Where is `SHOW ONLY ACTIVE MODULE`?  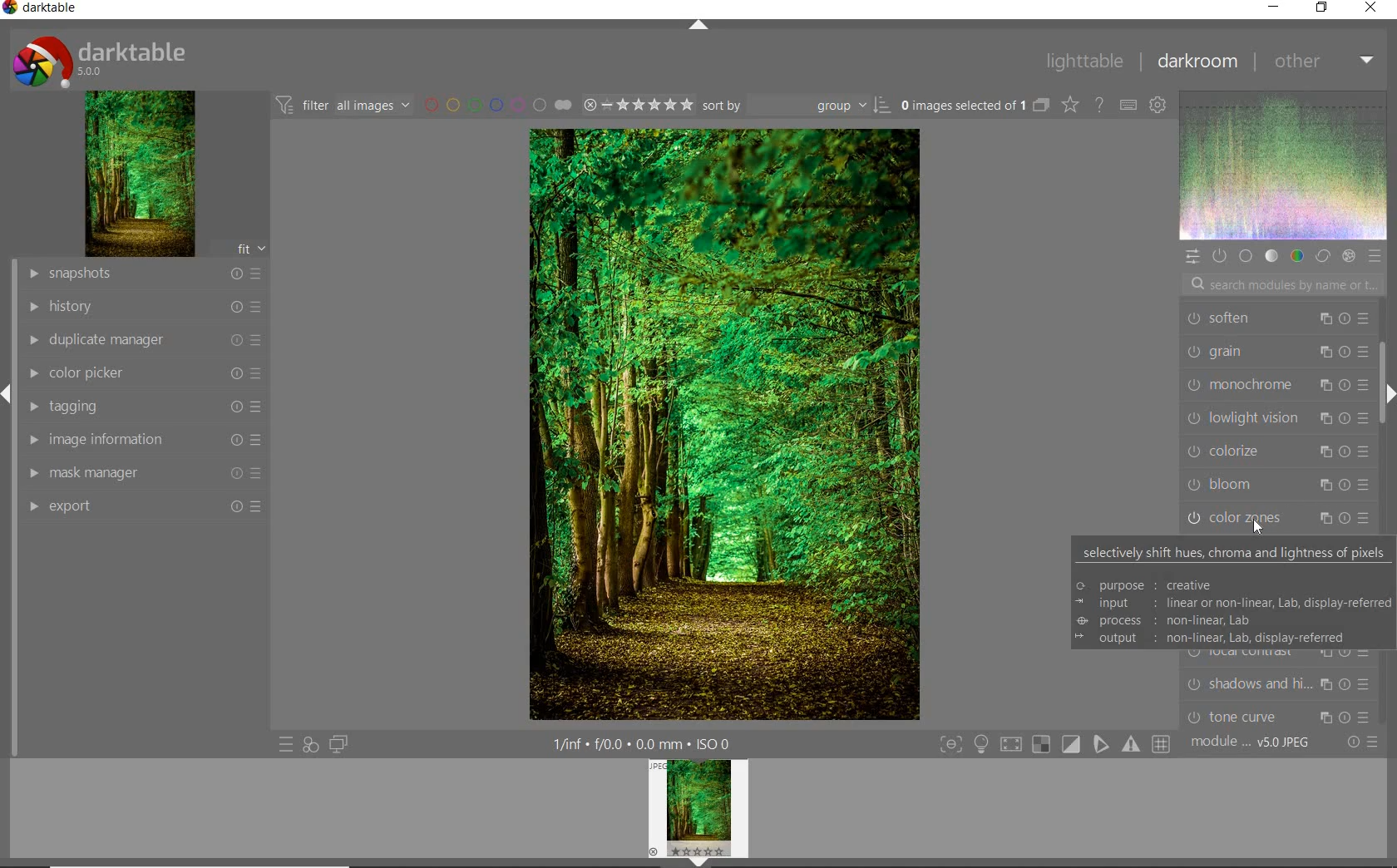 SHOW ONLY ACTIVE MODULE is located at coordinates (1220, 255).